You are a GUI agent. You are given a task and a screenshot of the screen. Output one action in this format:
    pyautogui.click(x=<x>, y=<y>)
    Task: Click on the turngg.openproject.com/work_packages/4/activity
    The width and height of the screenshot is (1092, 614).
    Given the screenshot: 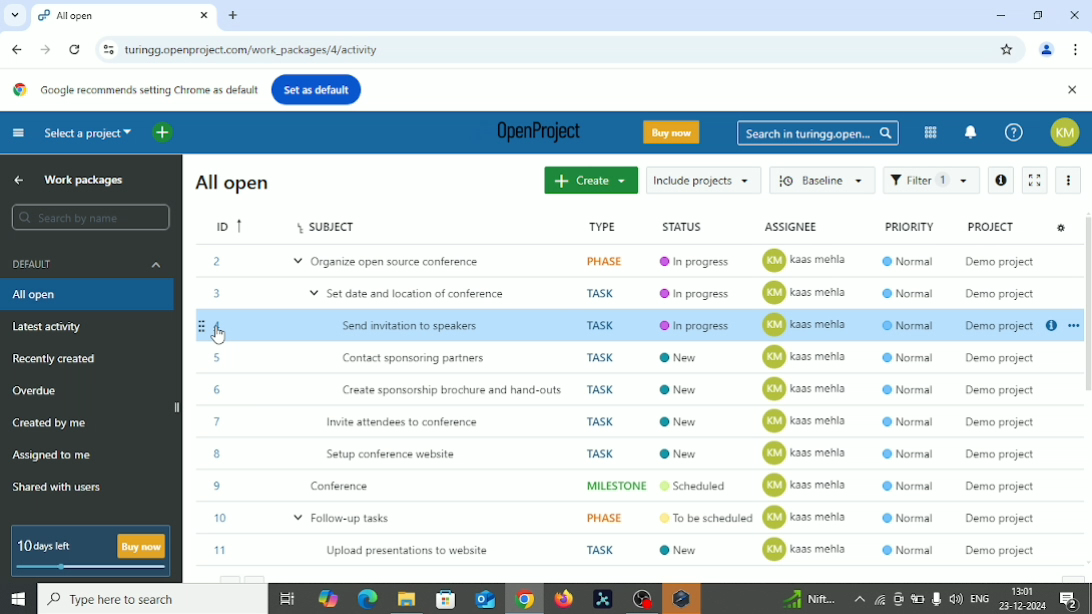 What is the action you would take?
    pyautogui.click(x=252, y=51)
    